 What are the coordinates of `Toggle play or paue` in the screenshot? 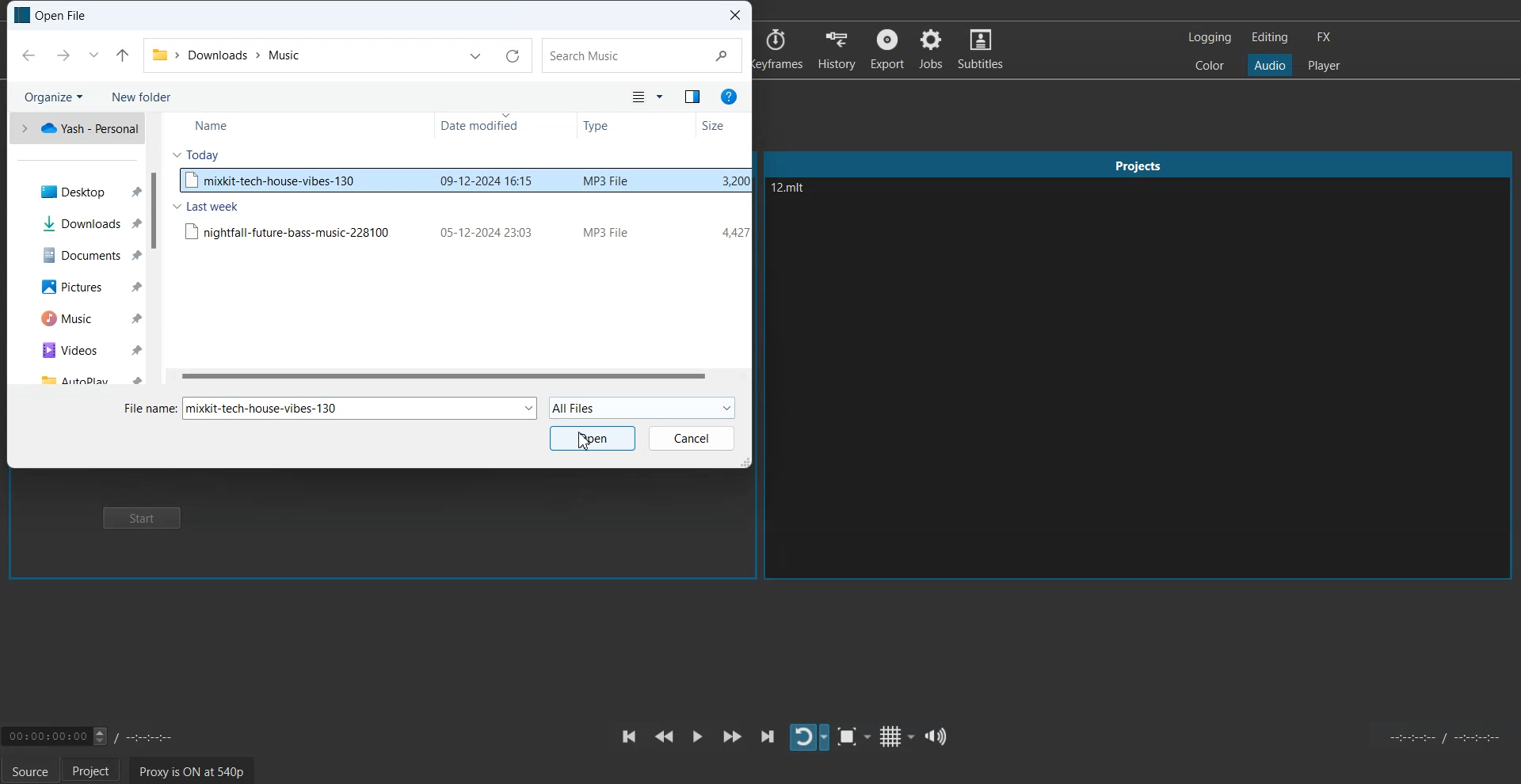 It's located at (697, 736).